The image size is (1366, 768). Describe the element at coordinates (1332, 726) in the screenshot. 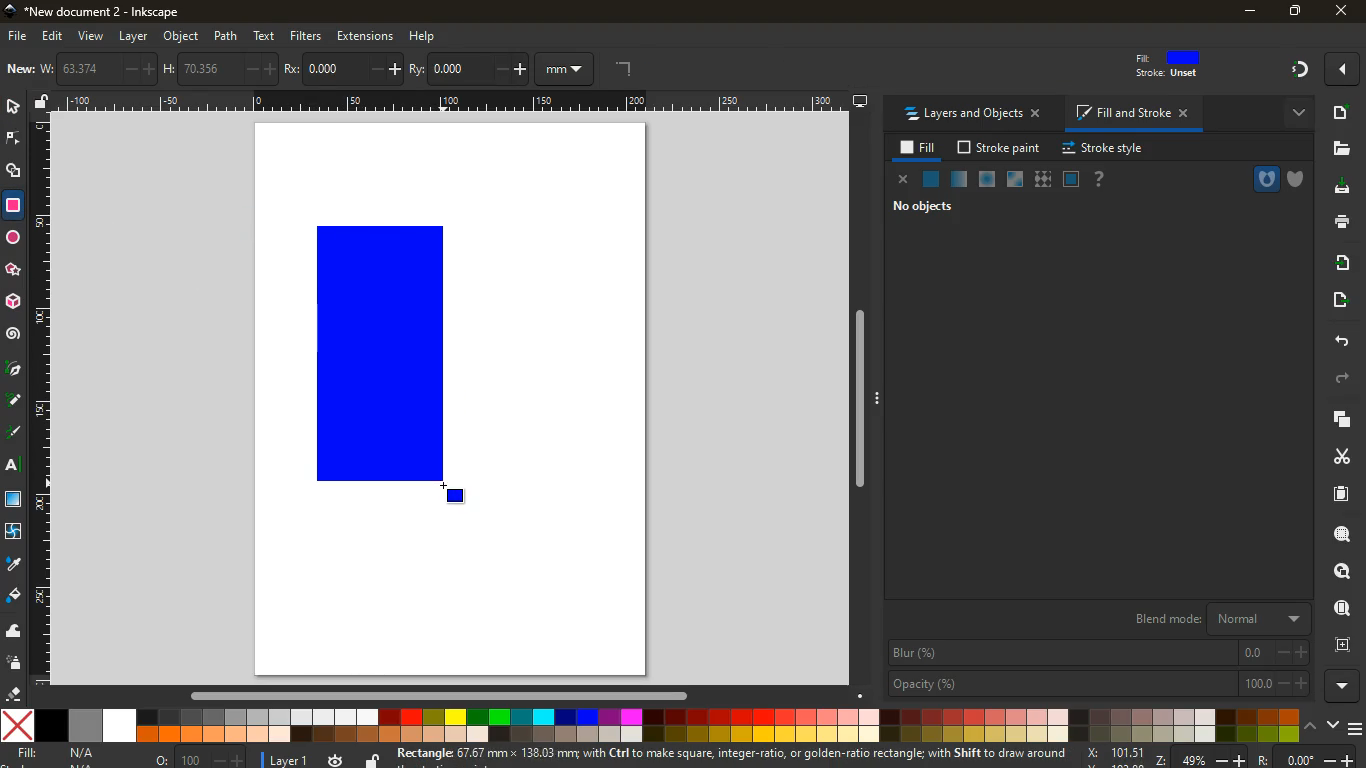

I see `down` at that location.